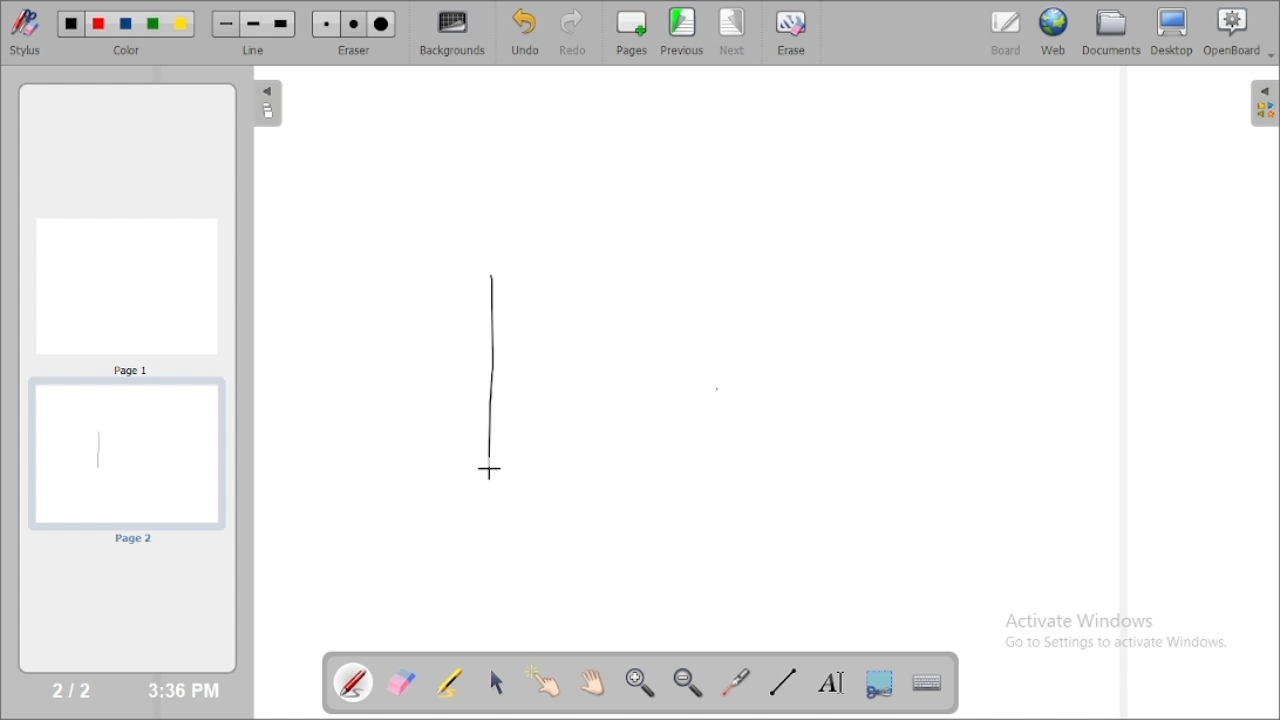  Describe the element at coordinates (1122, 634) in the screenshot. I see `Activate Windows
Go to Settings to activate Windows.` at that location.